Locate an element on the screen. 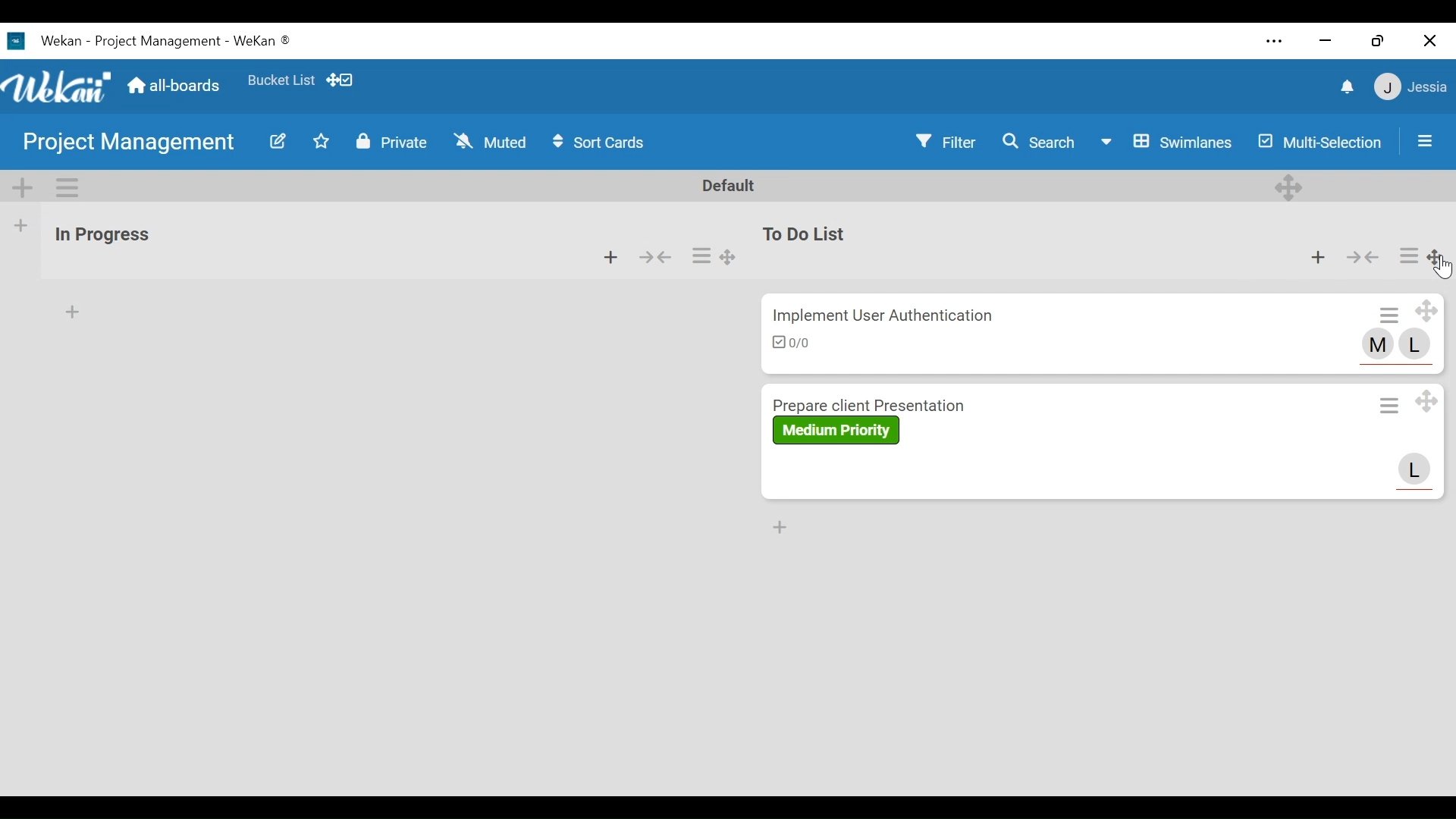 The image size is (1456, 819). Default is located at coordinates (731, 187).